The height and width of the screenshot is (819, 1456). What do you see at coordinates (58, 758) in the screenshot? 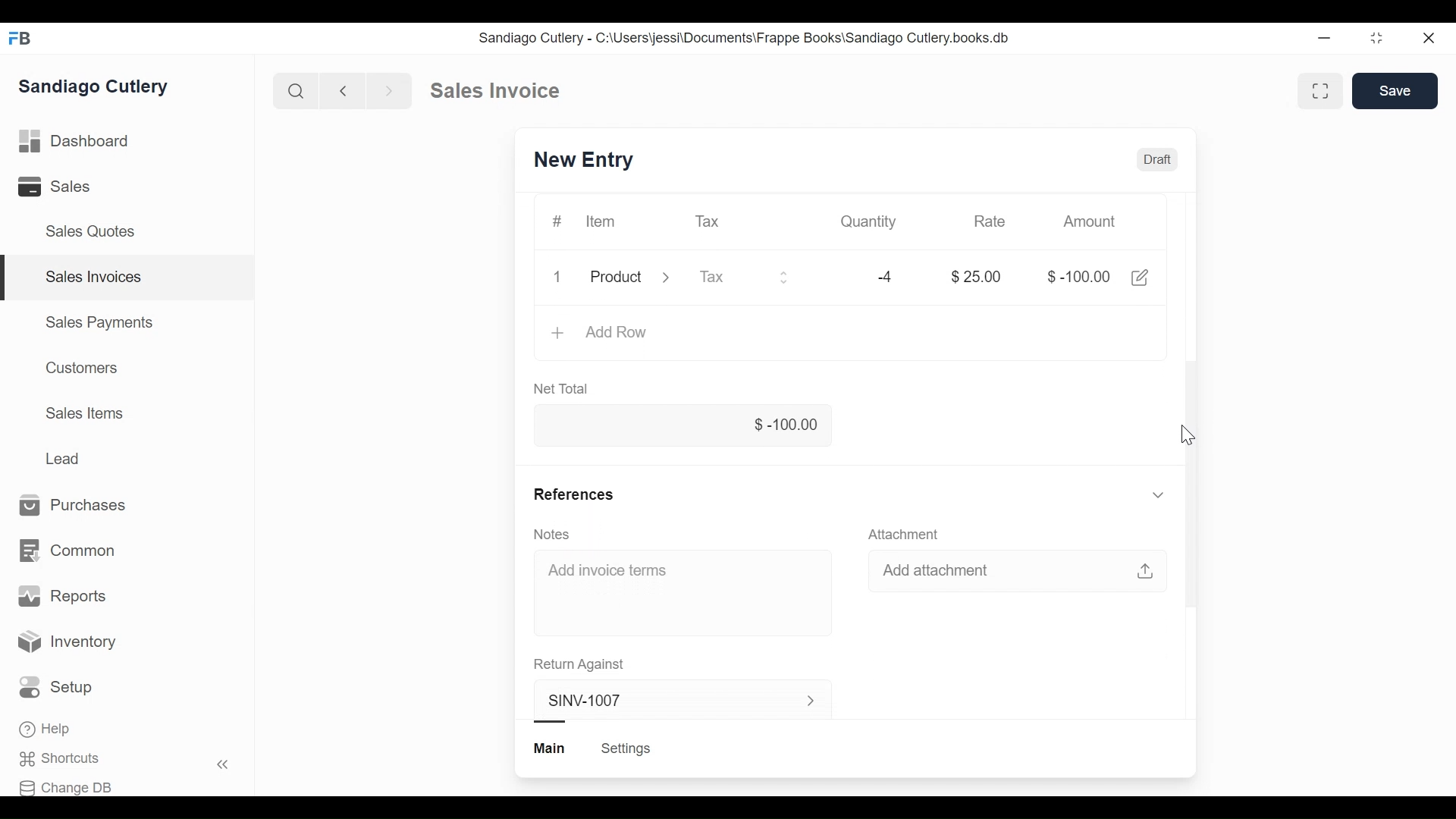
I see `Shortcuts` at bounding box center [58, 758].